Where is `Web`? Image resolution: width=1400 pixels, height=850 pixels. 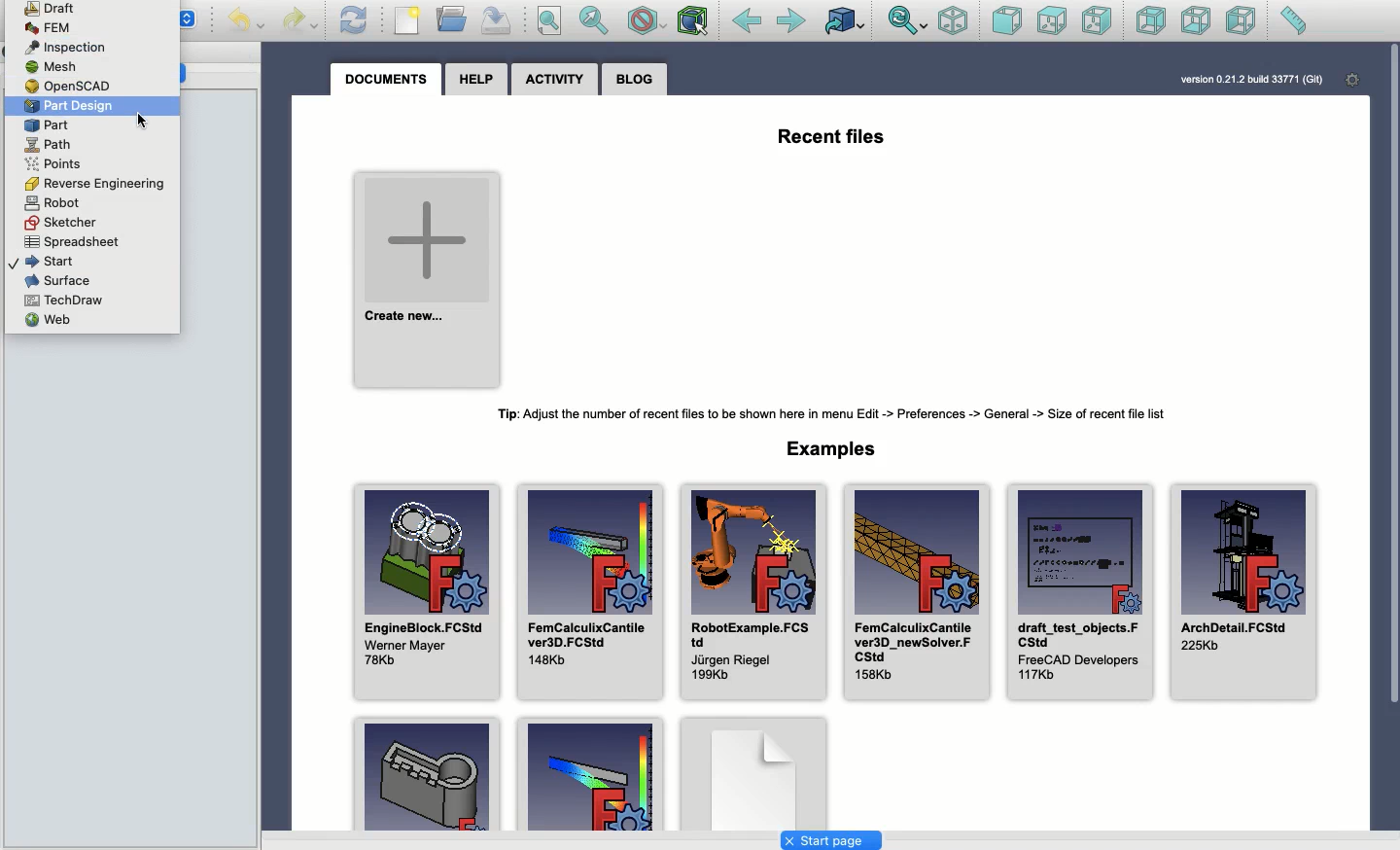 Web is located at coordinates (49, 321).